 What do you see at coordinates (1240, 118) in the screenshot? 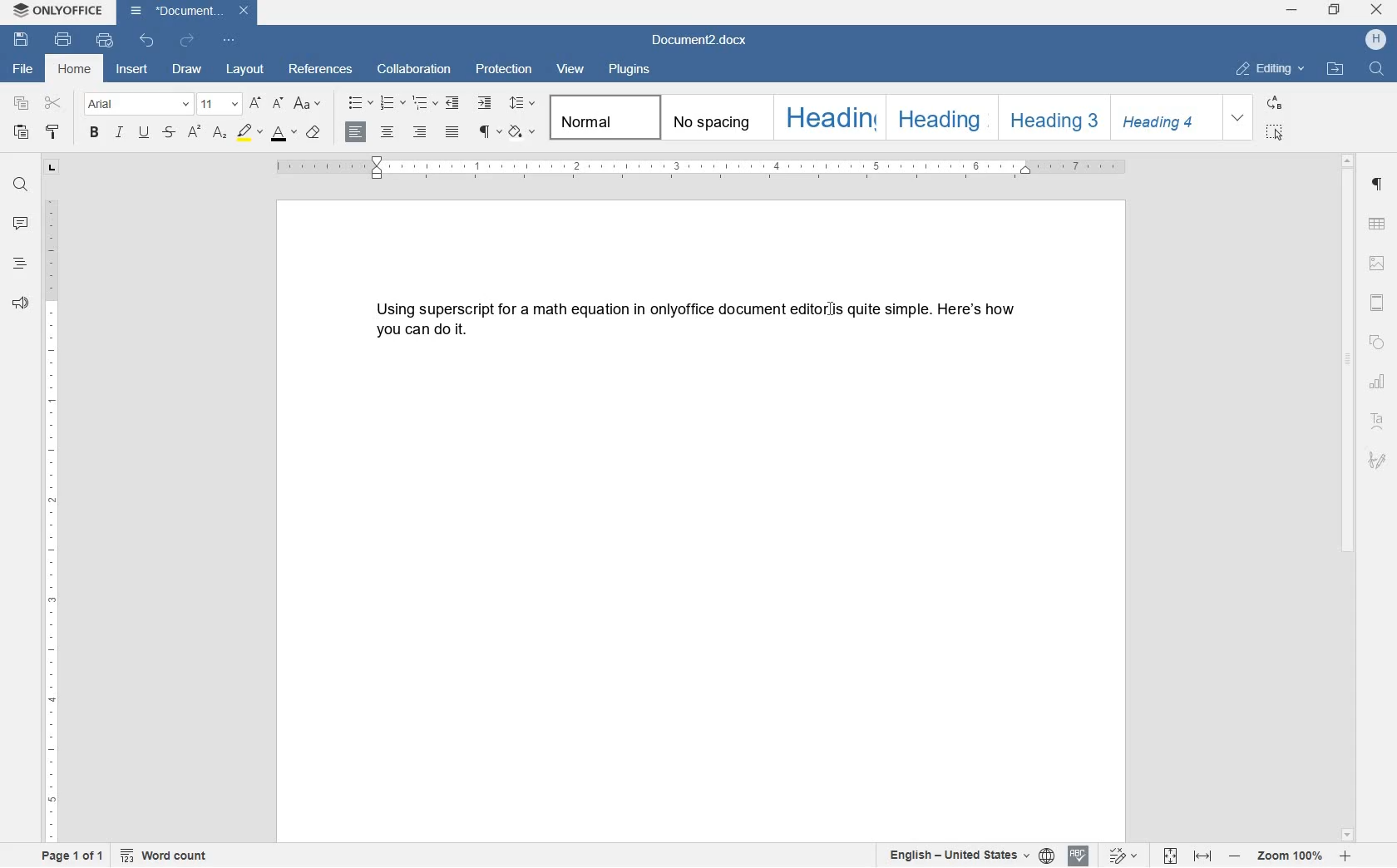
I see `EXPAND FORMATTING STYLE` at bounding box center [1240, 118].